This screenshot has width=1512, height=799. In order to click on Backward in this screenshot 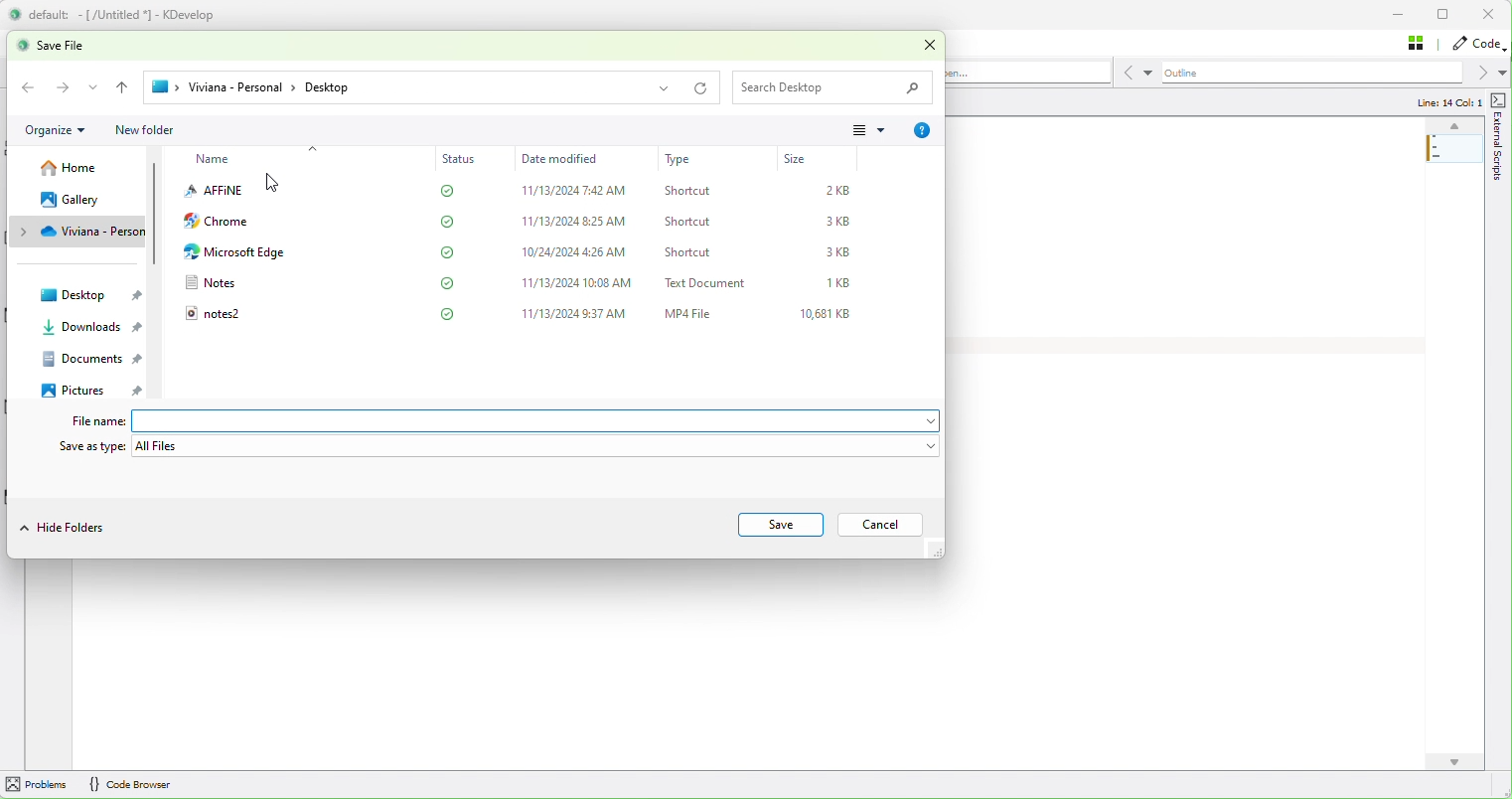, I will do `click(31, 87)`.